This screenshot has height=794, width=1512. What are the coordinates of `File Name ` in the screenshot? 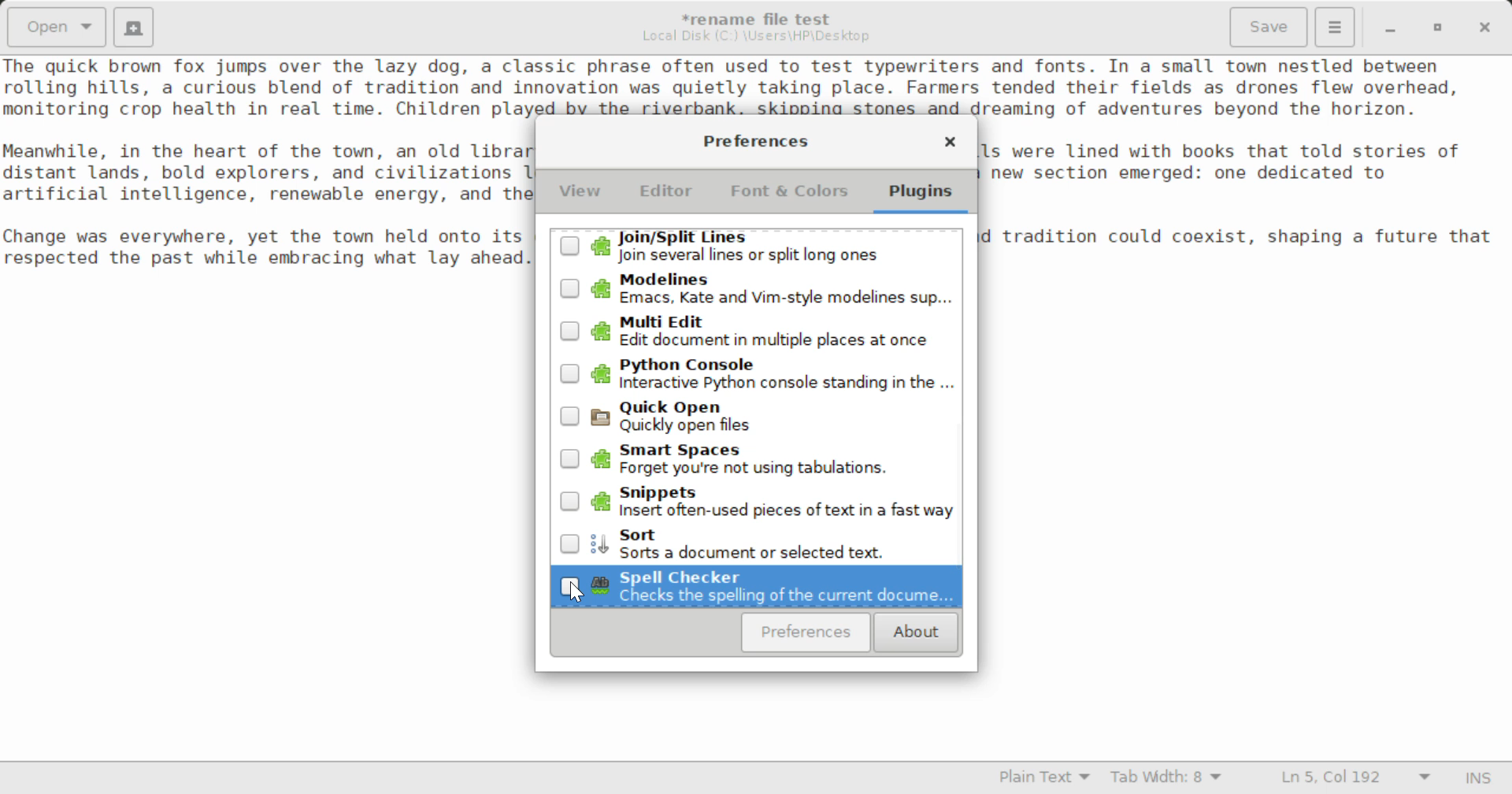 It's located at (761, 17).